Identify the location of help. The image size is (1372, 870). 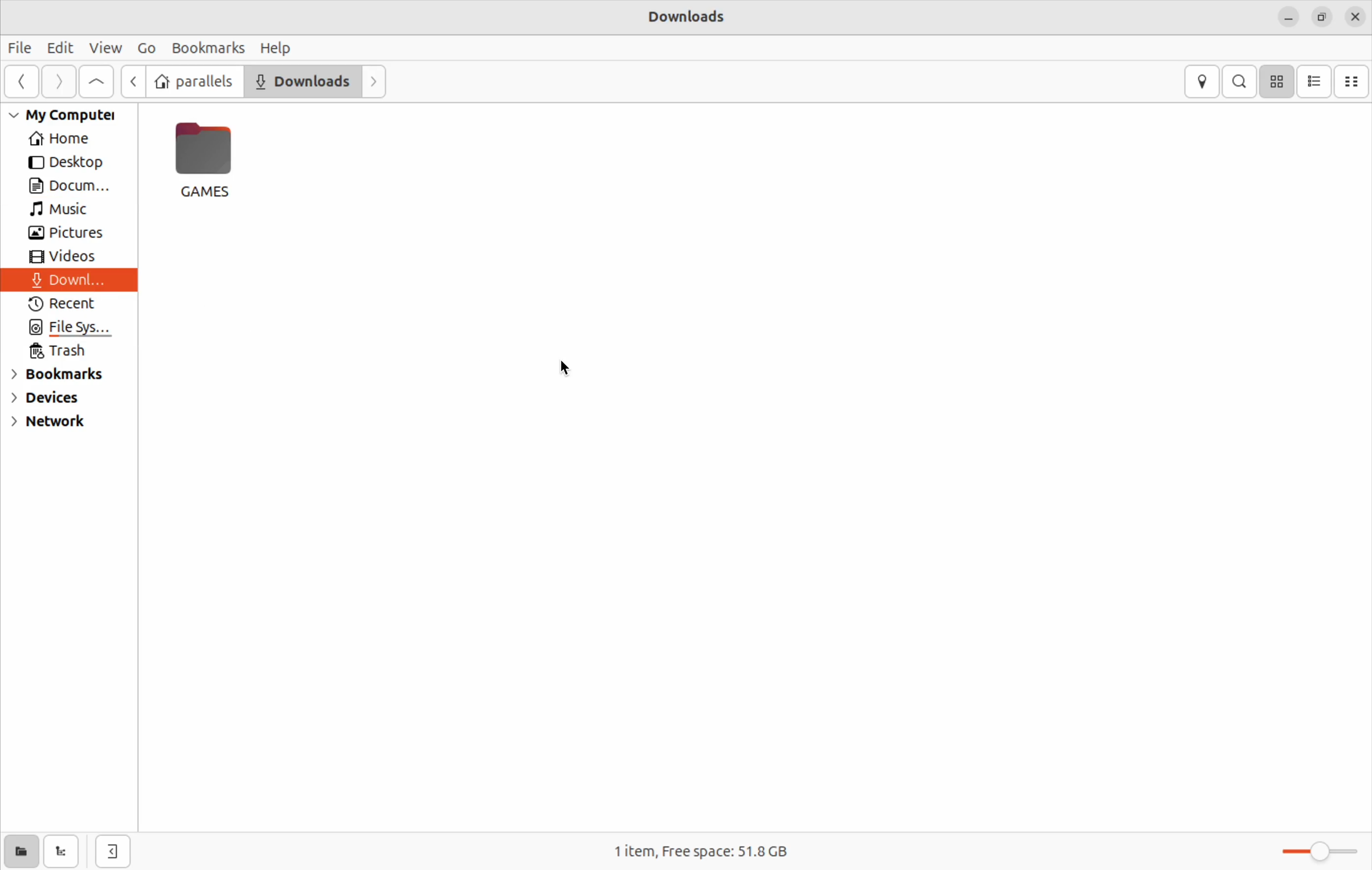
(274, 47).